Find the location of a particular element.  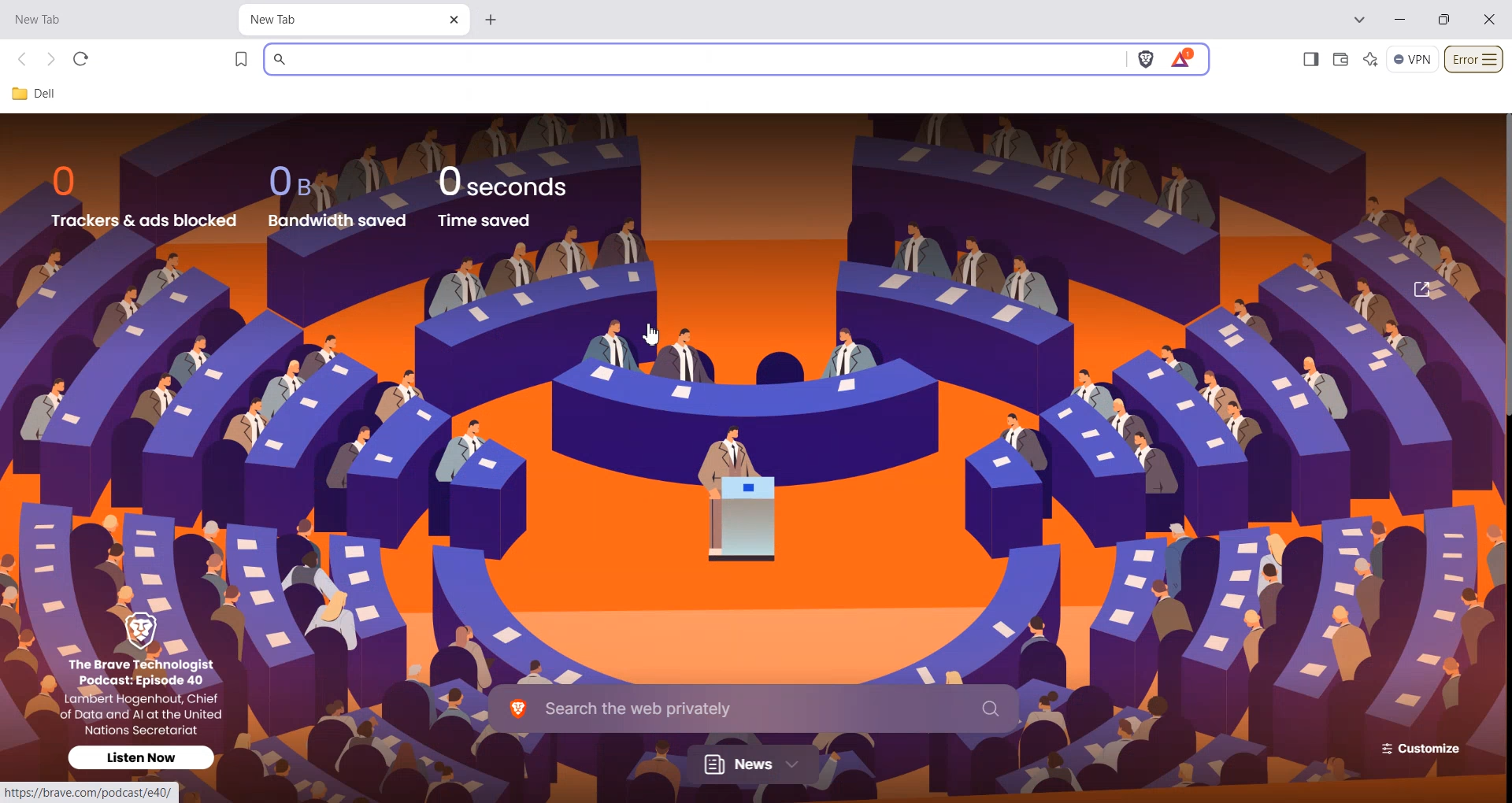

Brave Rewards is located at coordinates (1182, 59).